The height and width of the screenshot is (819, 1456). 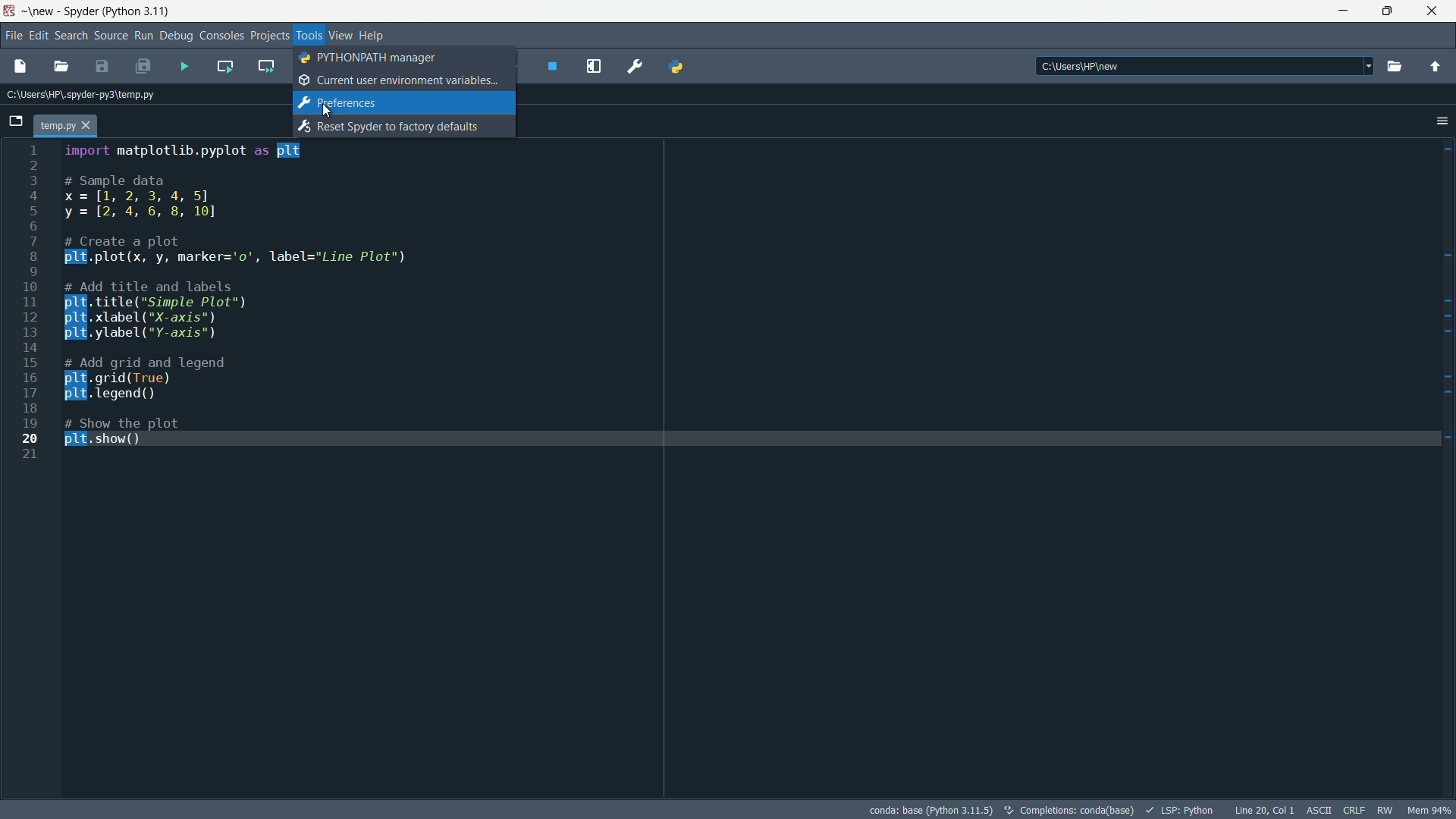 I want to click on directory, so click(x=1208, y=65).